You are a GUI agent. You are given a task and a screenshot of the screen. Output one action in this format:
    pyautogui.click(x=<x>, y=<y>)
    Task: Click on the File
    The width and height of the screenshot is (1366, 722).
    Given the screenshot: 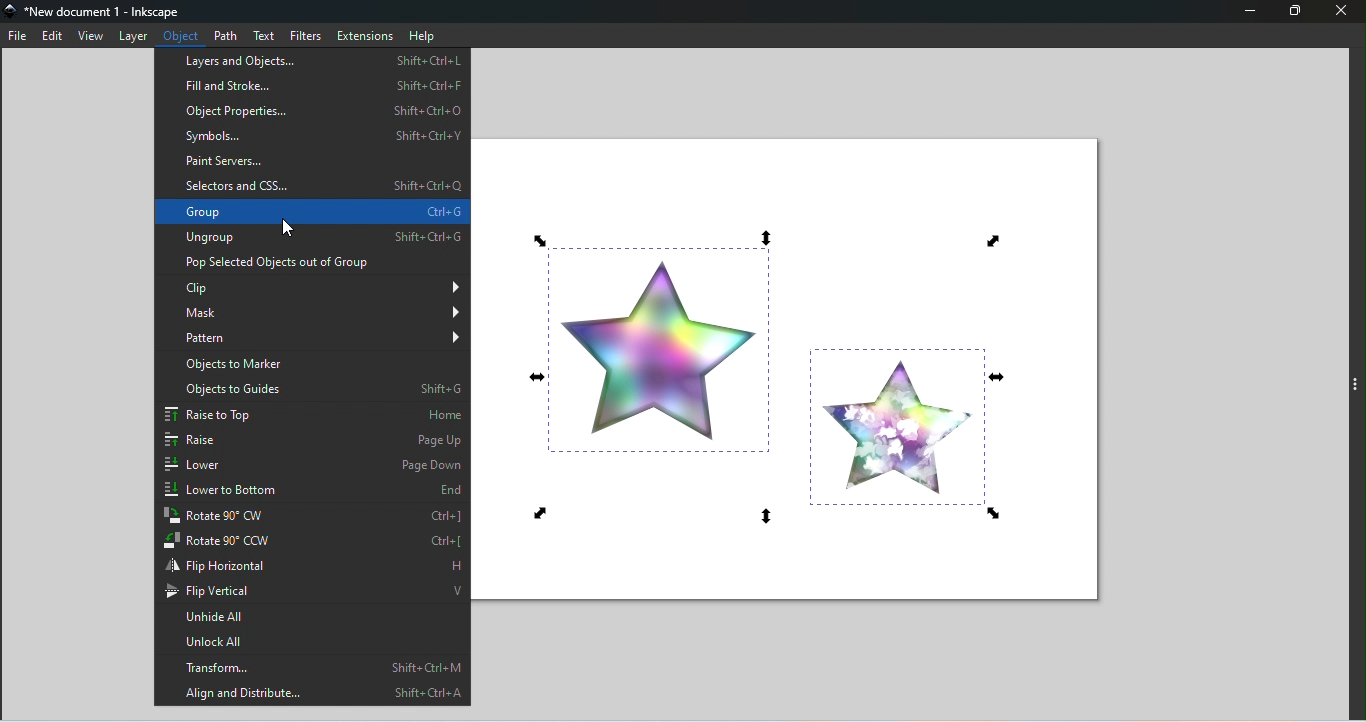 What is the action you would take?
    pyautogui.click(x=17, y=37)
    